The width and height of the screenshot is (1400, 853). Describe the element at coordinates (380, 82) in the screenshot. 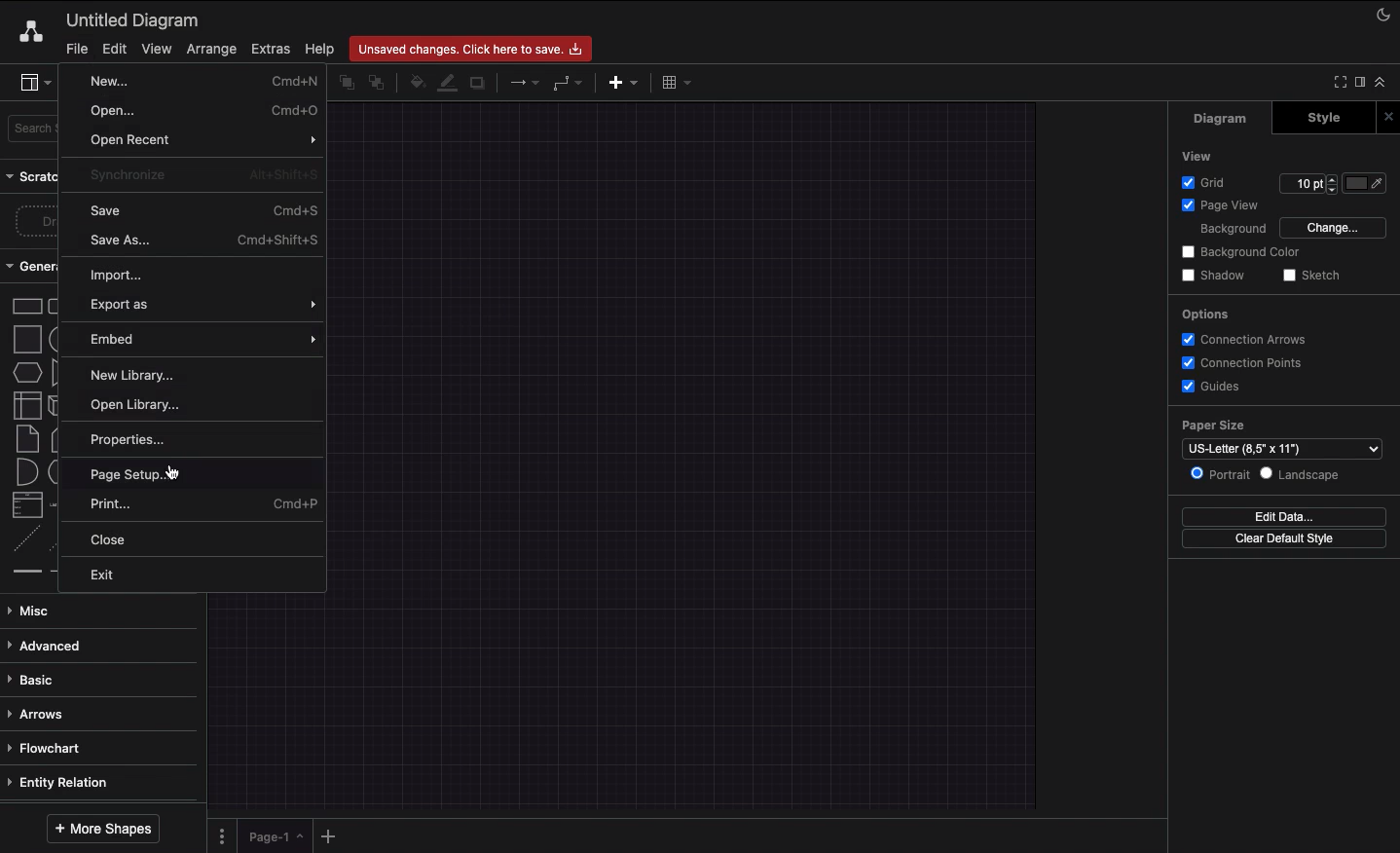

I see `To back` at that location.